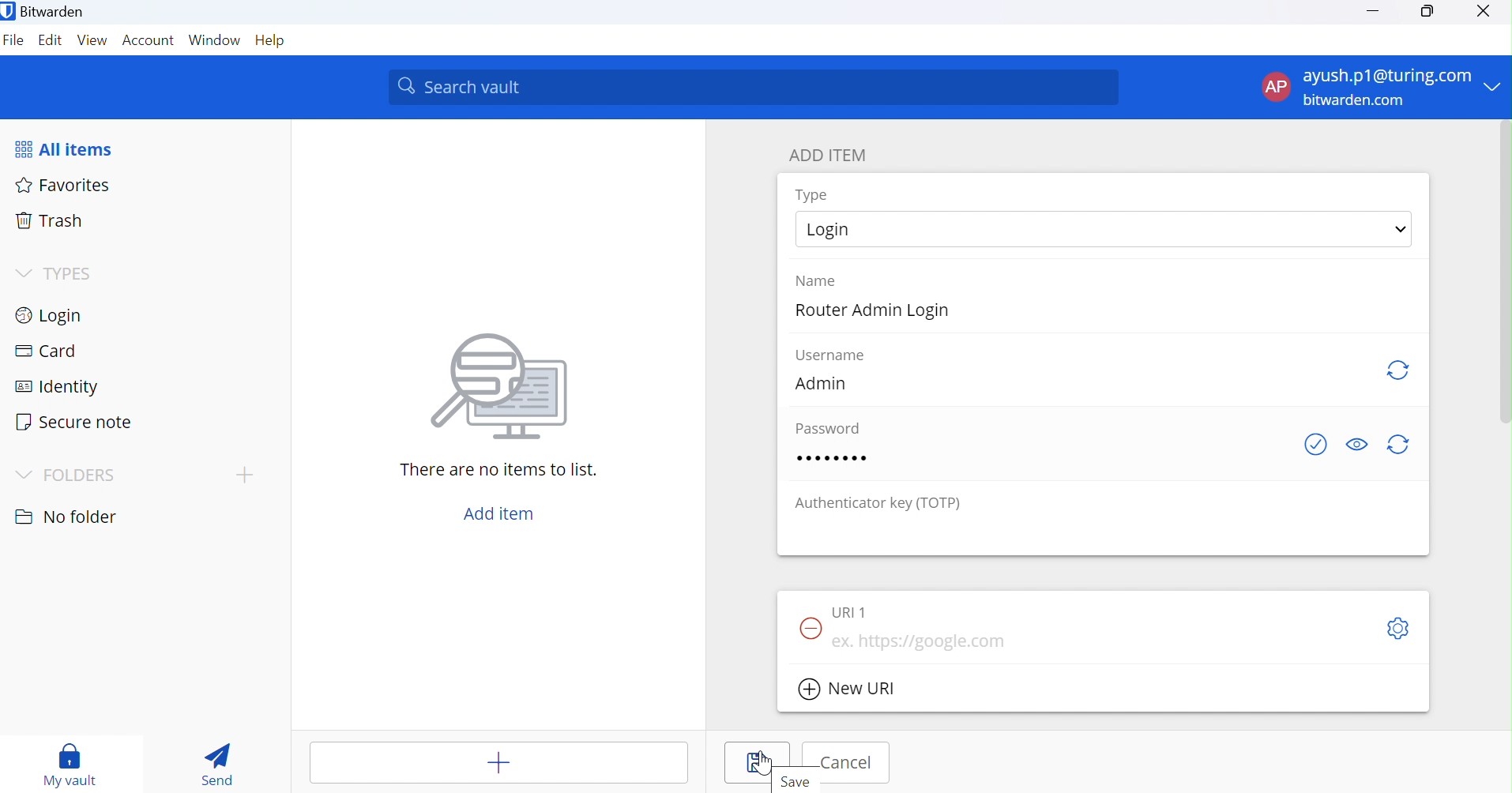  I want to click on Favorites, so click(65, 184).